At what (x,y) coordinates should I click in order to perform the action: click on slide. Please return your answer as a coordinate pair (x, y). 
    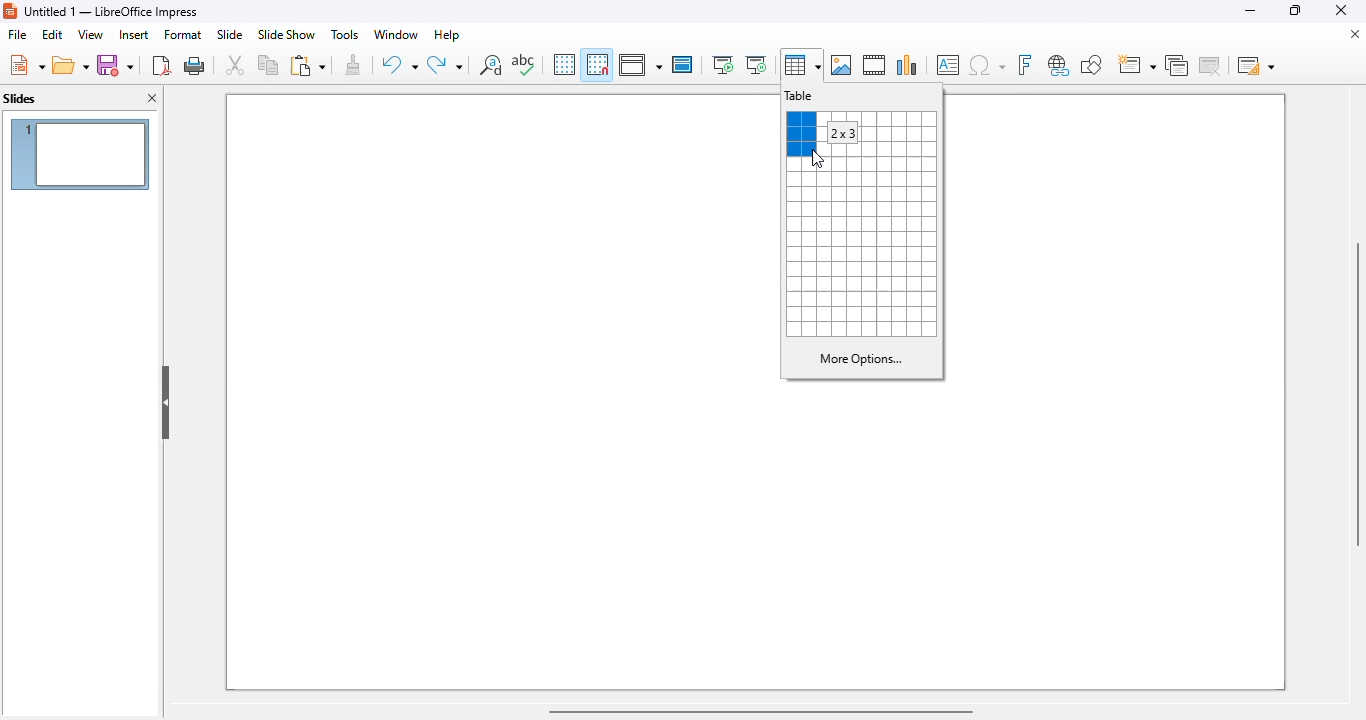
    Looking at the image, I should click on (231, 34).